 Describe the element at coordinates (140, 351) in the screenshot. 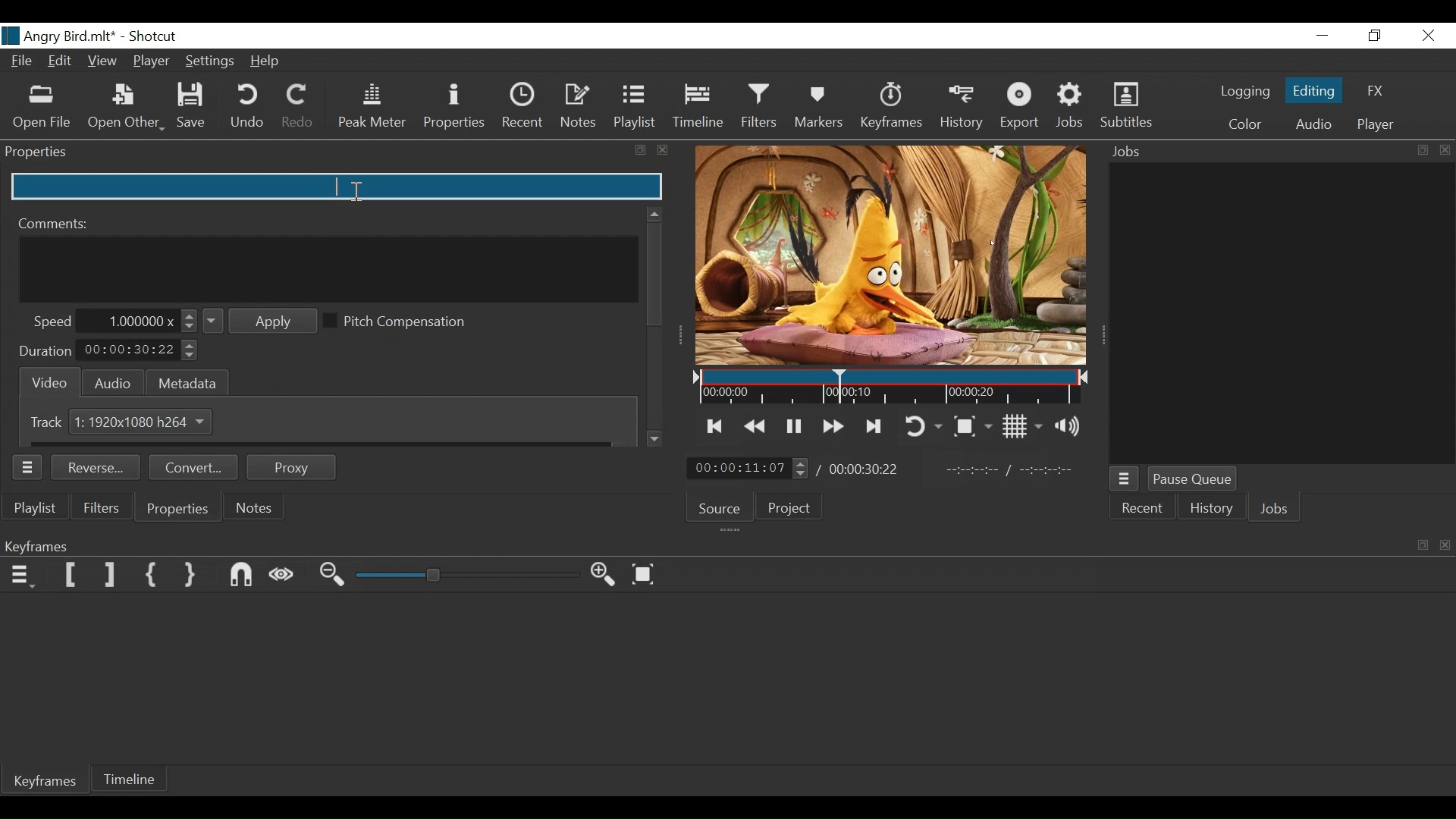

I see `Adjust Current Duration Field` at that location.